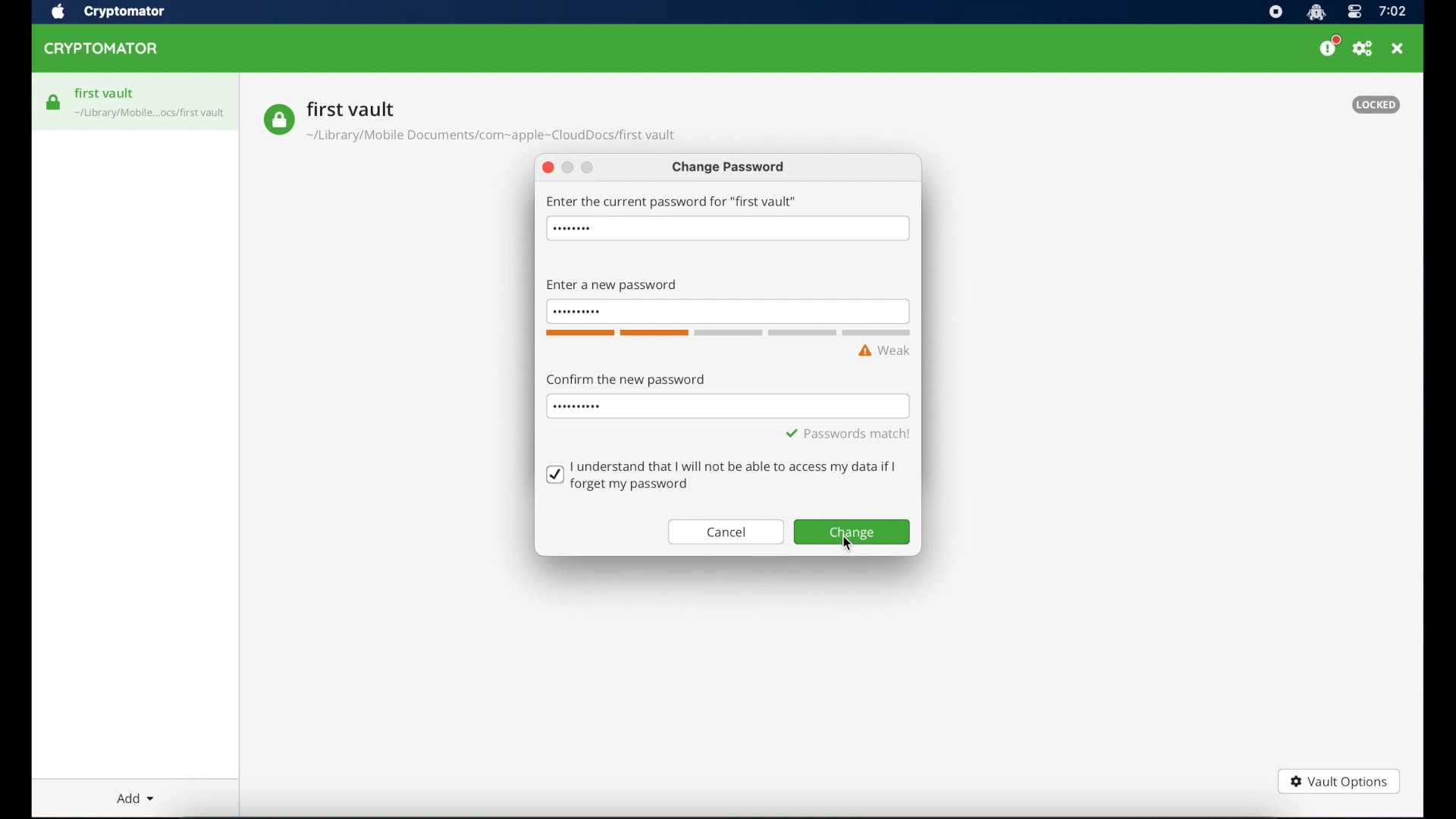  What do you see at coordinates (102, 49) in the screenshot?
I see `cryptomator` at bounding box center [102, 49].